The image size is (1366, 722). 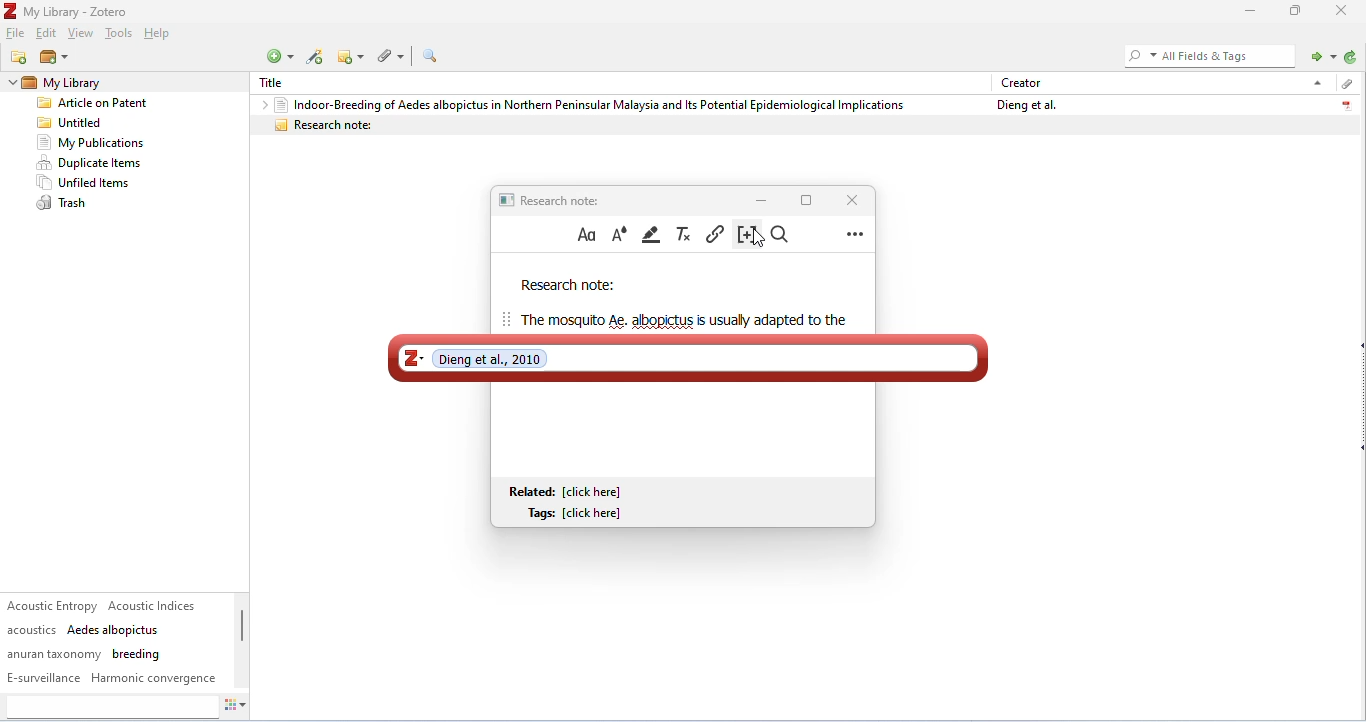 What do you see at coordinates (113, 642) in the screenshot?
I see `tags` at bounding box center [113, 642].